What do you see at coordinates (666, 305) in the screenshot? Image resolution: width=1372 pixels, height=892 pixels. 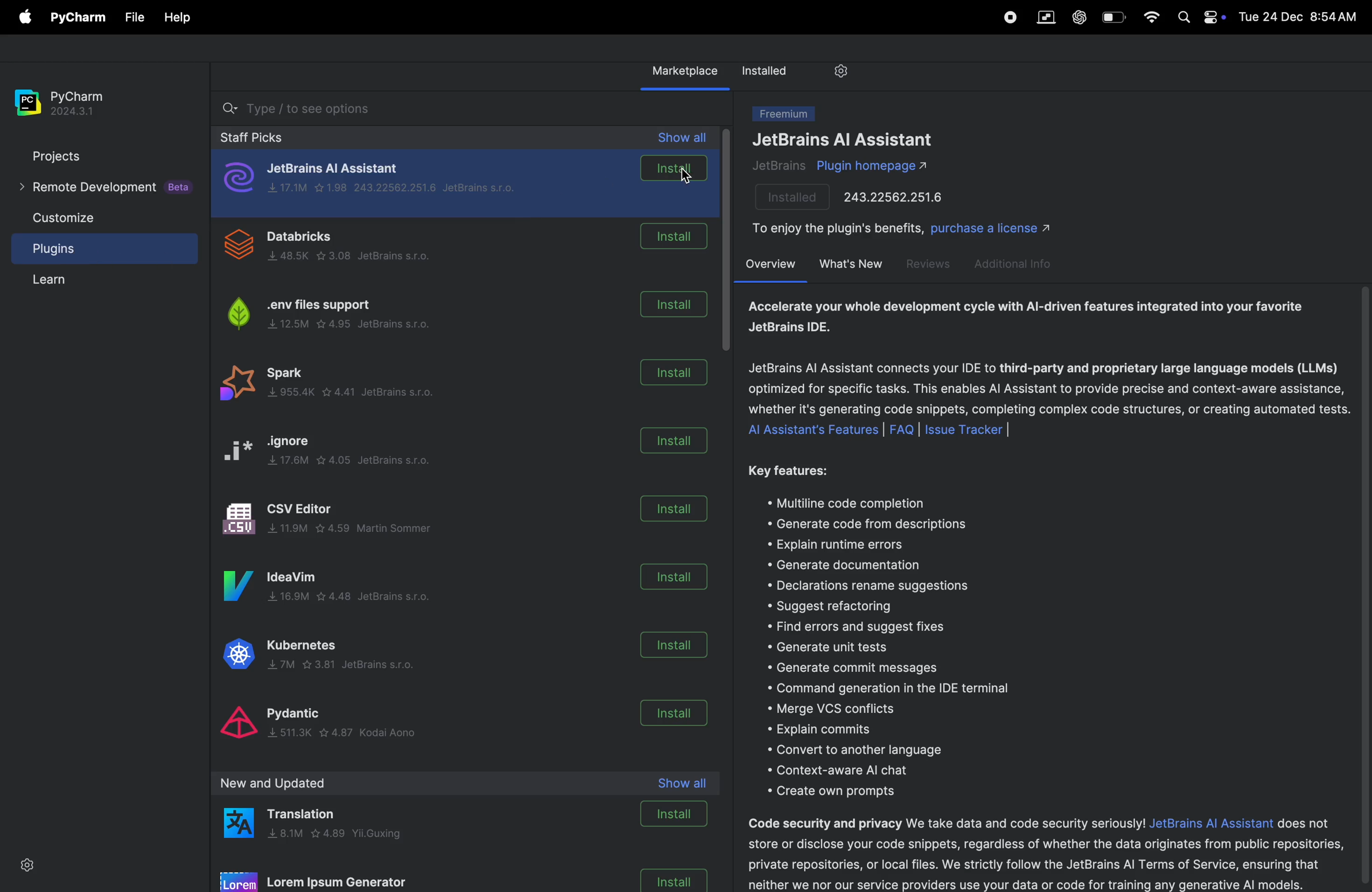 I see `install` at bounding box center [666, 305].